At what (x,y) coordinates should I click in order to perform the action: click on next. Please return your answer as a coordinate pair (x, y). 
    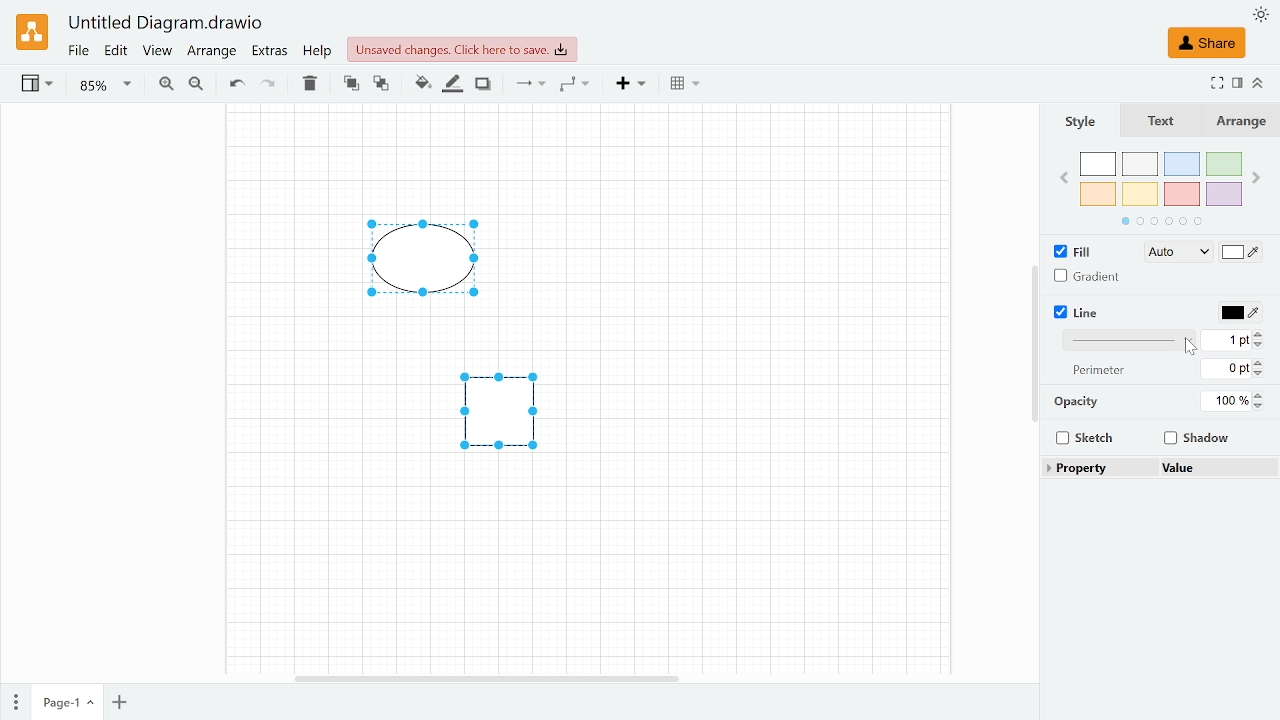
    Looking at the image, I should click on (1258, 177).